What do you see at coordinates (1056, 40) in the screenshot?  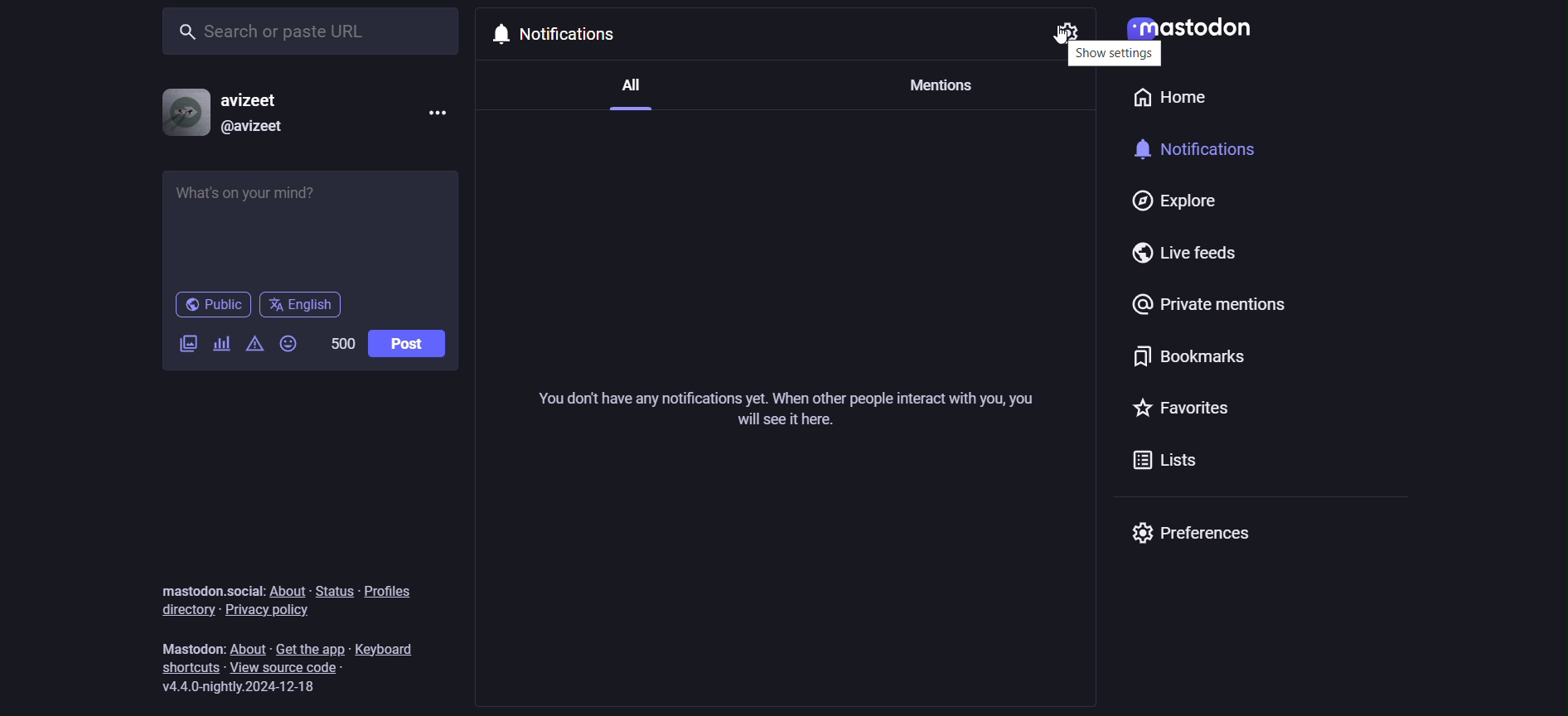 I see `cursor` at bounding box center [1056, 40].